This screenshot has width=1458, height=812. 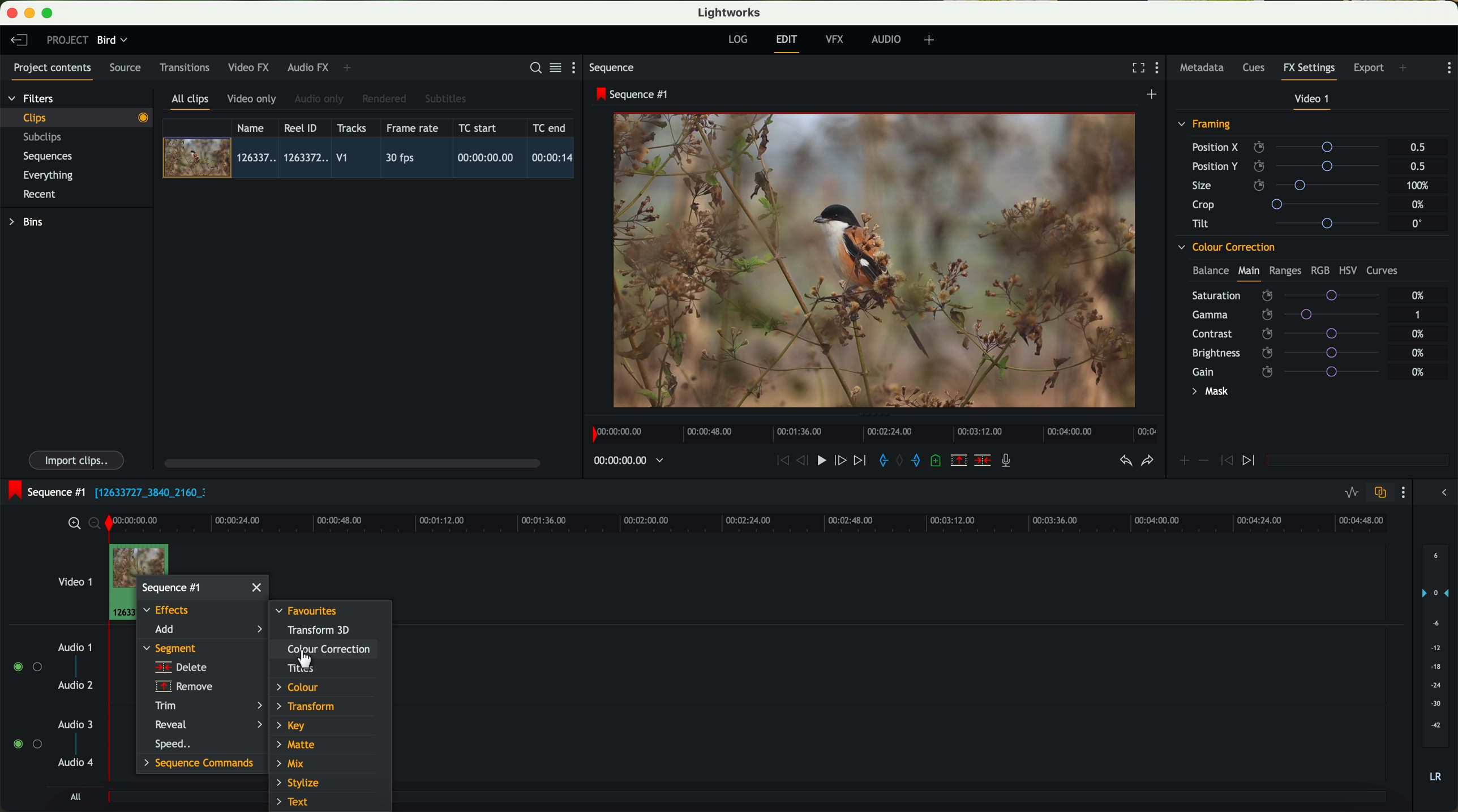 I want to click on balance, so click(x=1211, y=272).